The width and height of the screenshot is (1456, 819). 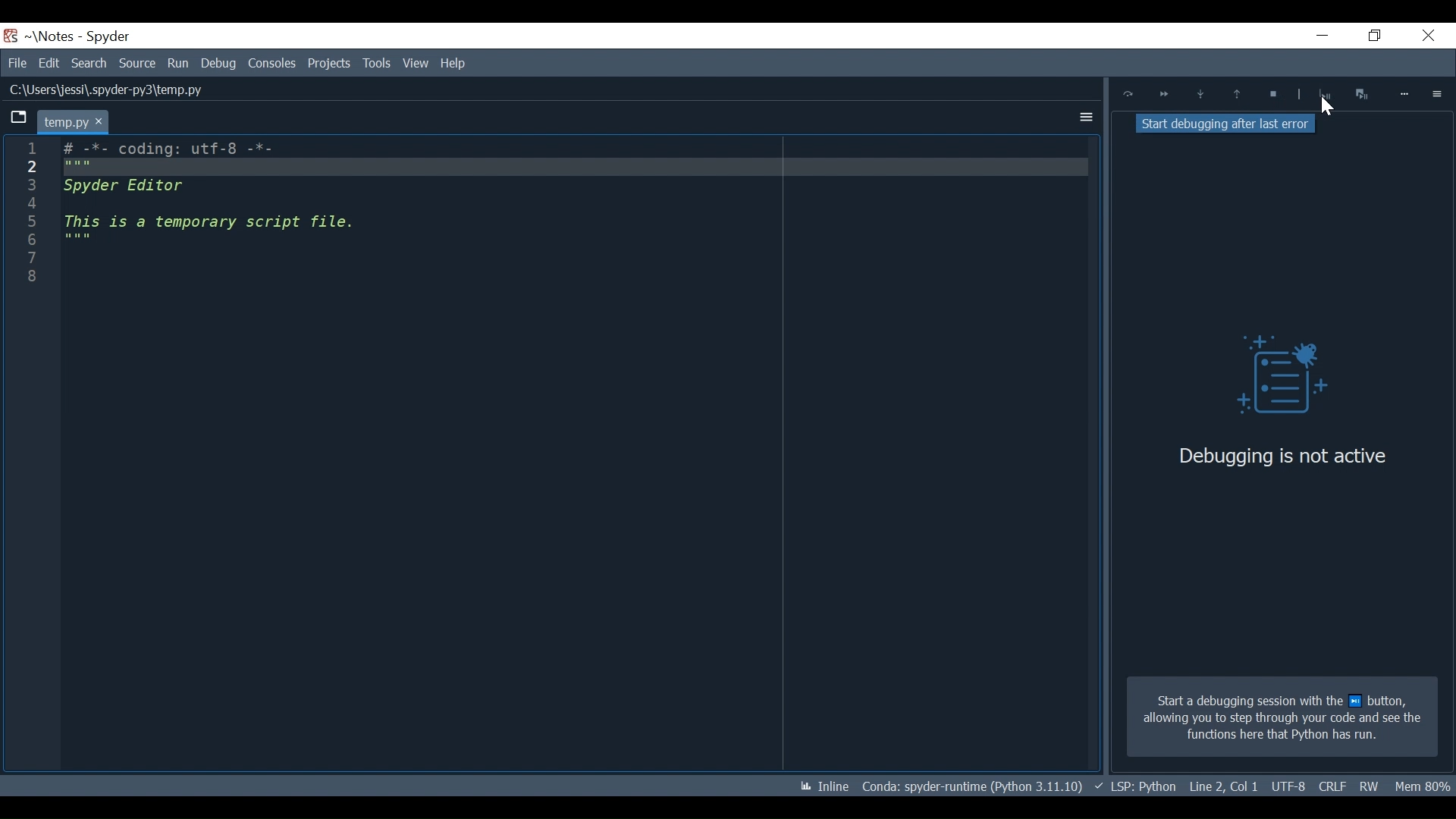 I want to click on Close, so click(x=1425, y=37).